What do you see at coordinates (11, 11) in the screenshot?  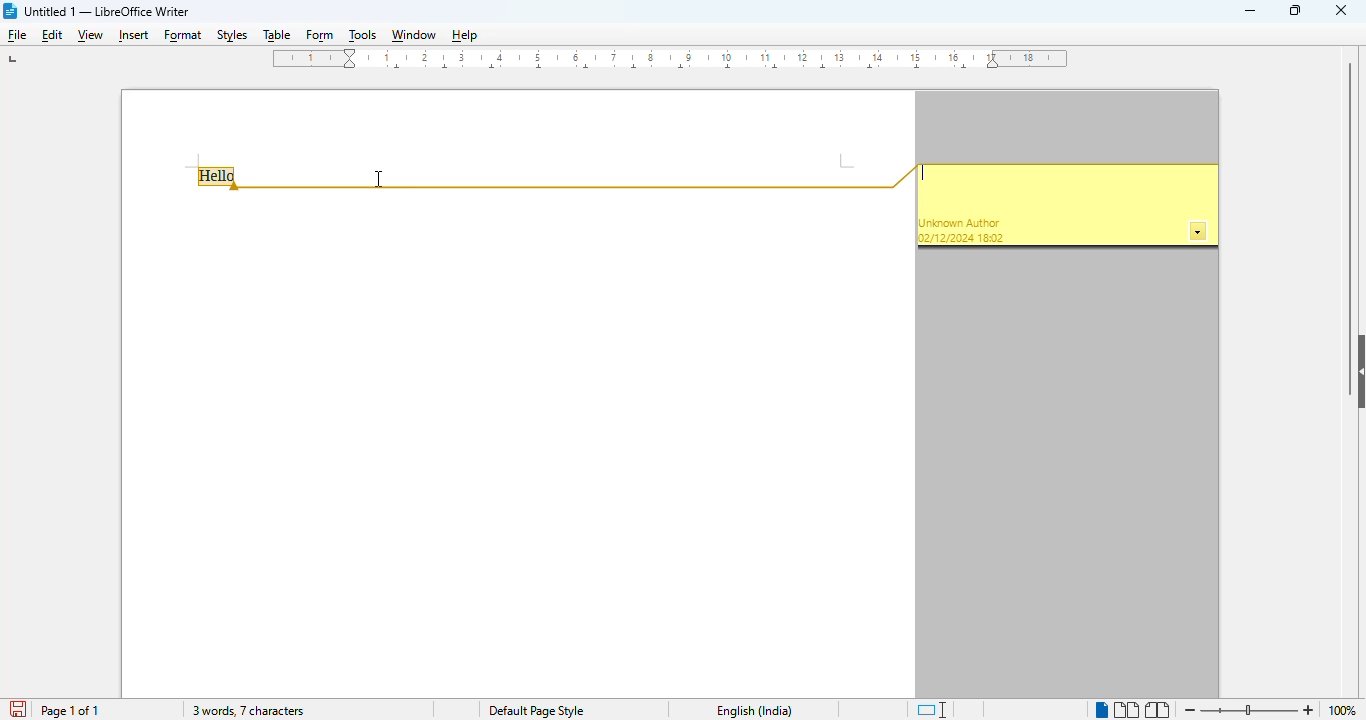 I see `logo` at bounding box center [11, 11].